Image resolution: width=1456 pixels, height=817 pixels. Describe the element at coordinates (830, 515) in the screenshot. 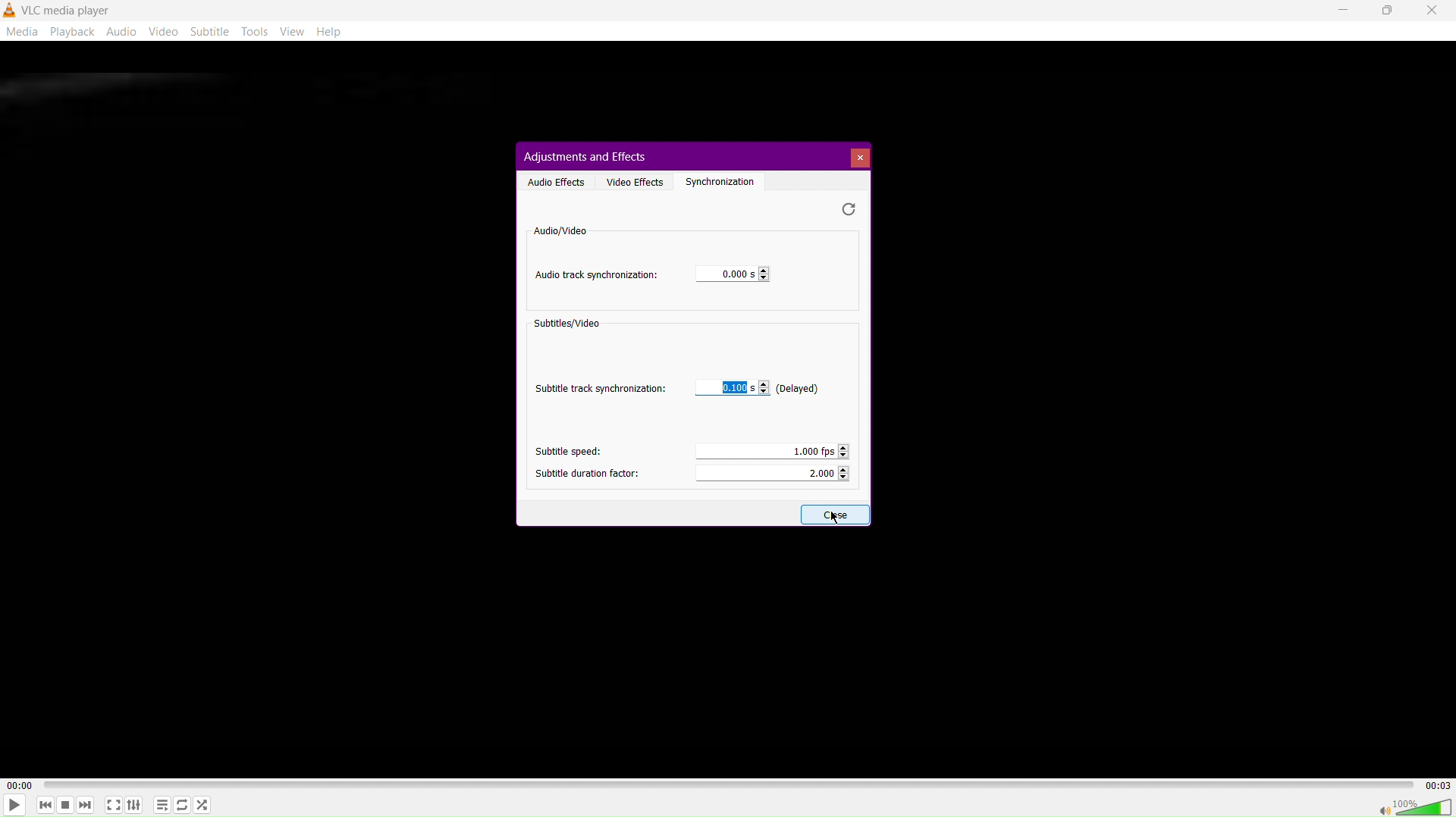

I see `close` at that location.